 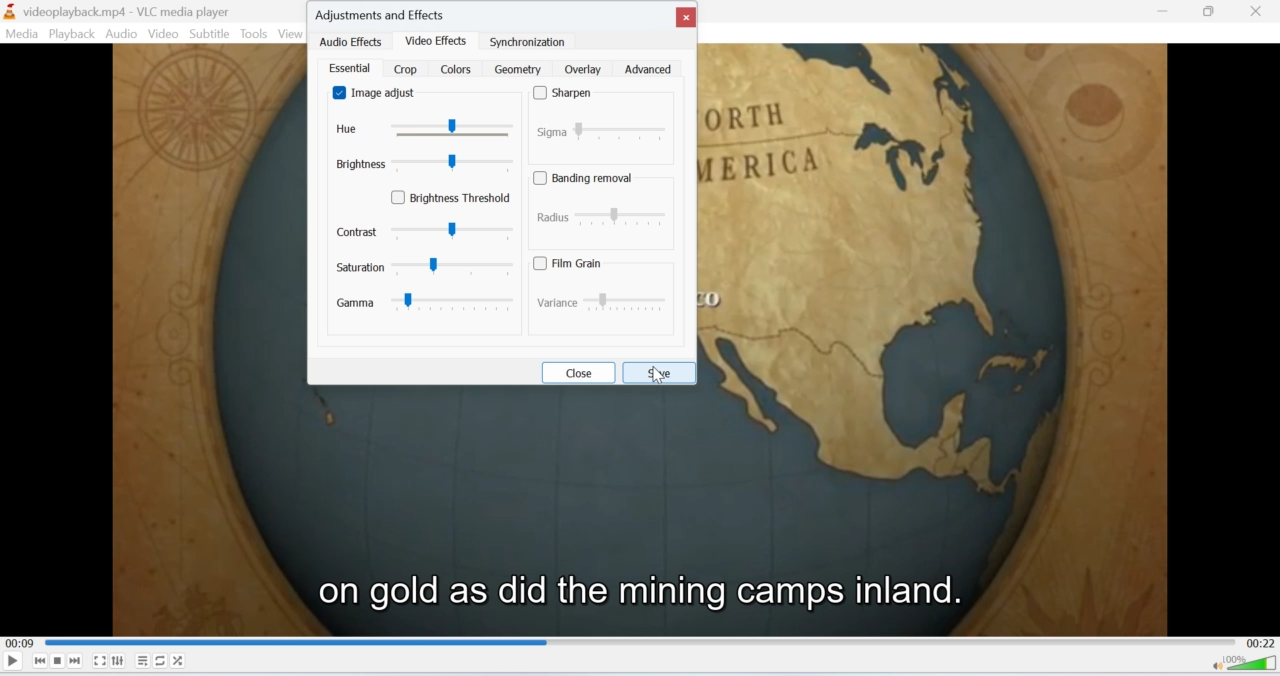 I want to click on radius, so click(x=603, y=217).